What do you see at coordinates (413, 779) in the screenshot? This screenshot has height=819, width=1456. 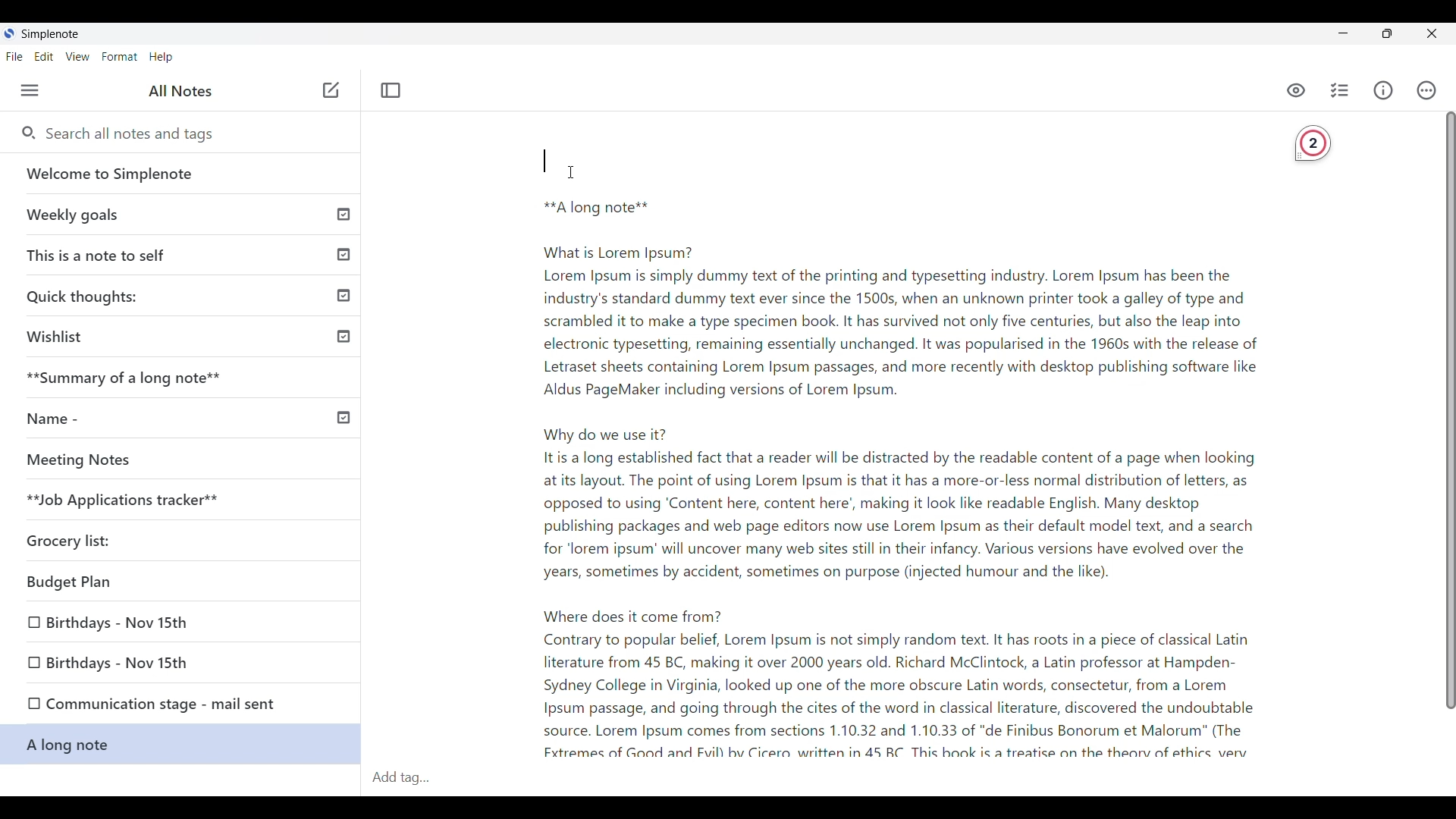 I see `Add tag` at bounding box center [413, 779].